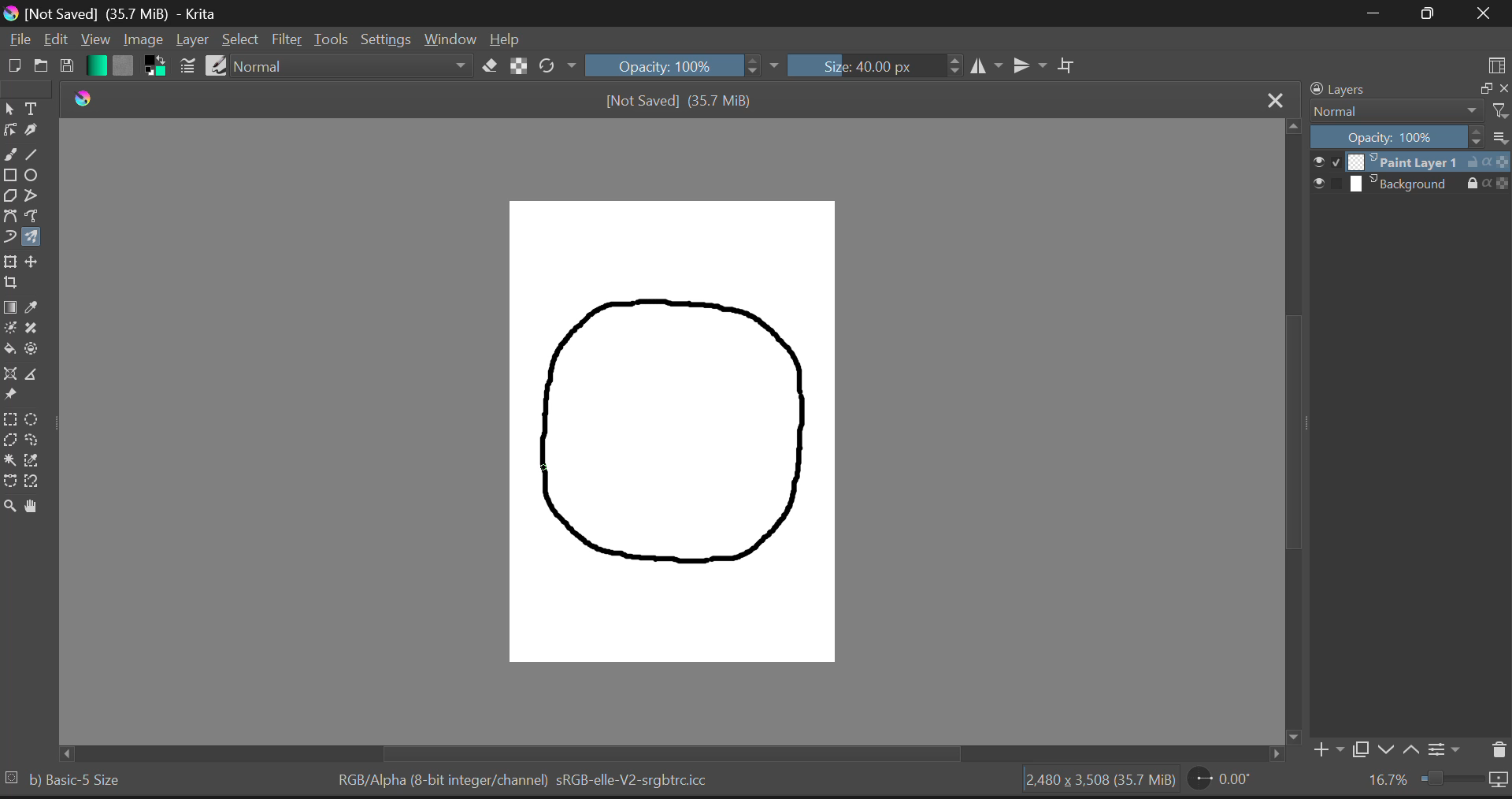 Image resolution: width=1512 pixels, height=799 pixels. I want to click on Polylines, so click(32, 195).